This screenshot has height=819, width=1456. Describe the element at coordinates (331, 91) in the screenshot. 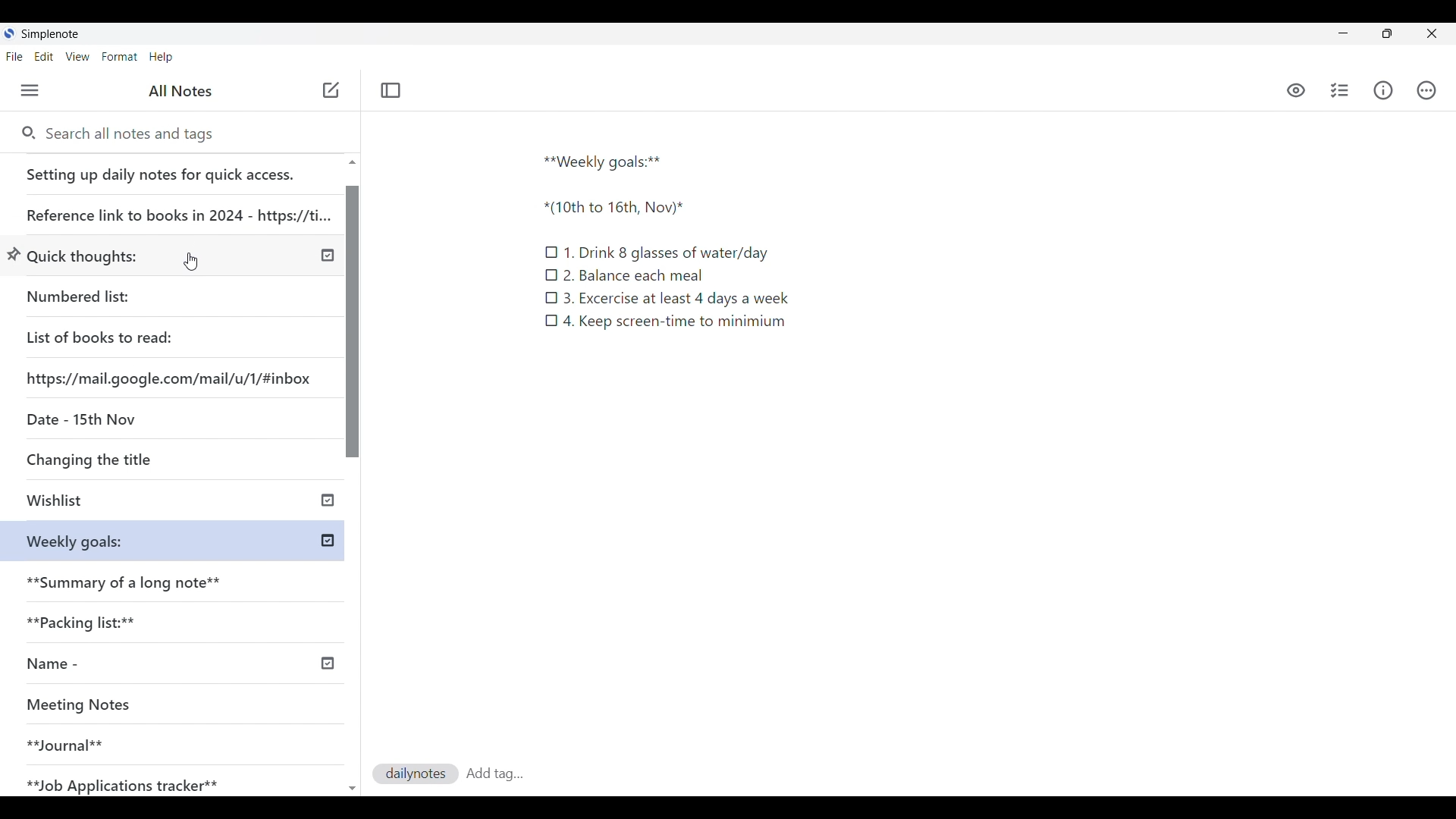

I see `Cursor position unchanged` at that location.